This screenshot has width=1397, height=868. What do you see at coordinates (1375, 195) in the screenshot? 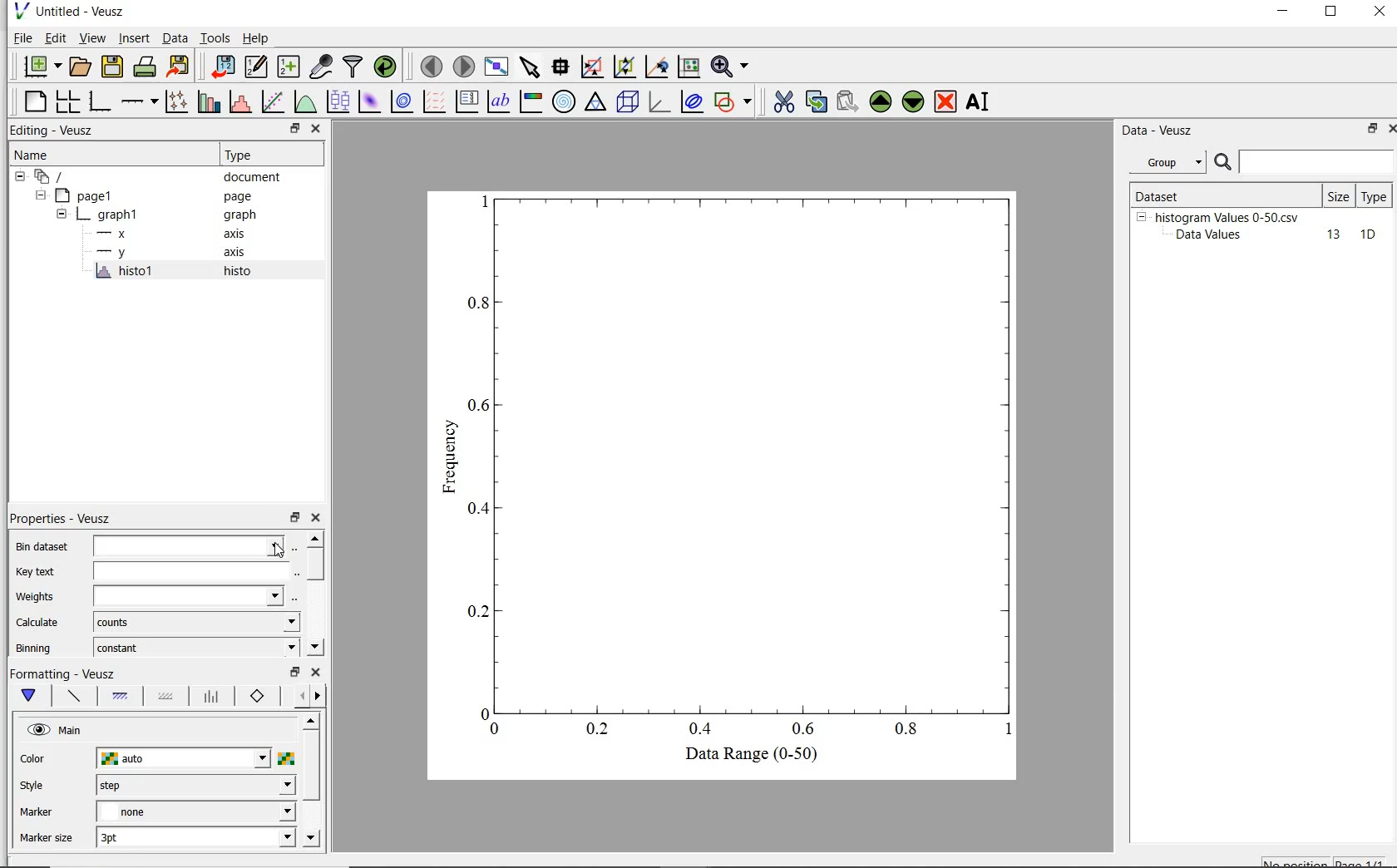
I see `type` at bounding box center [1375, 195].